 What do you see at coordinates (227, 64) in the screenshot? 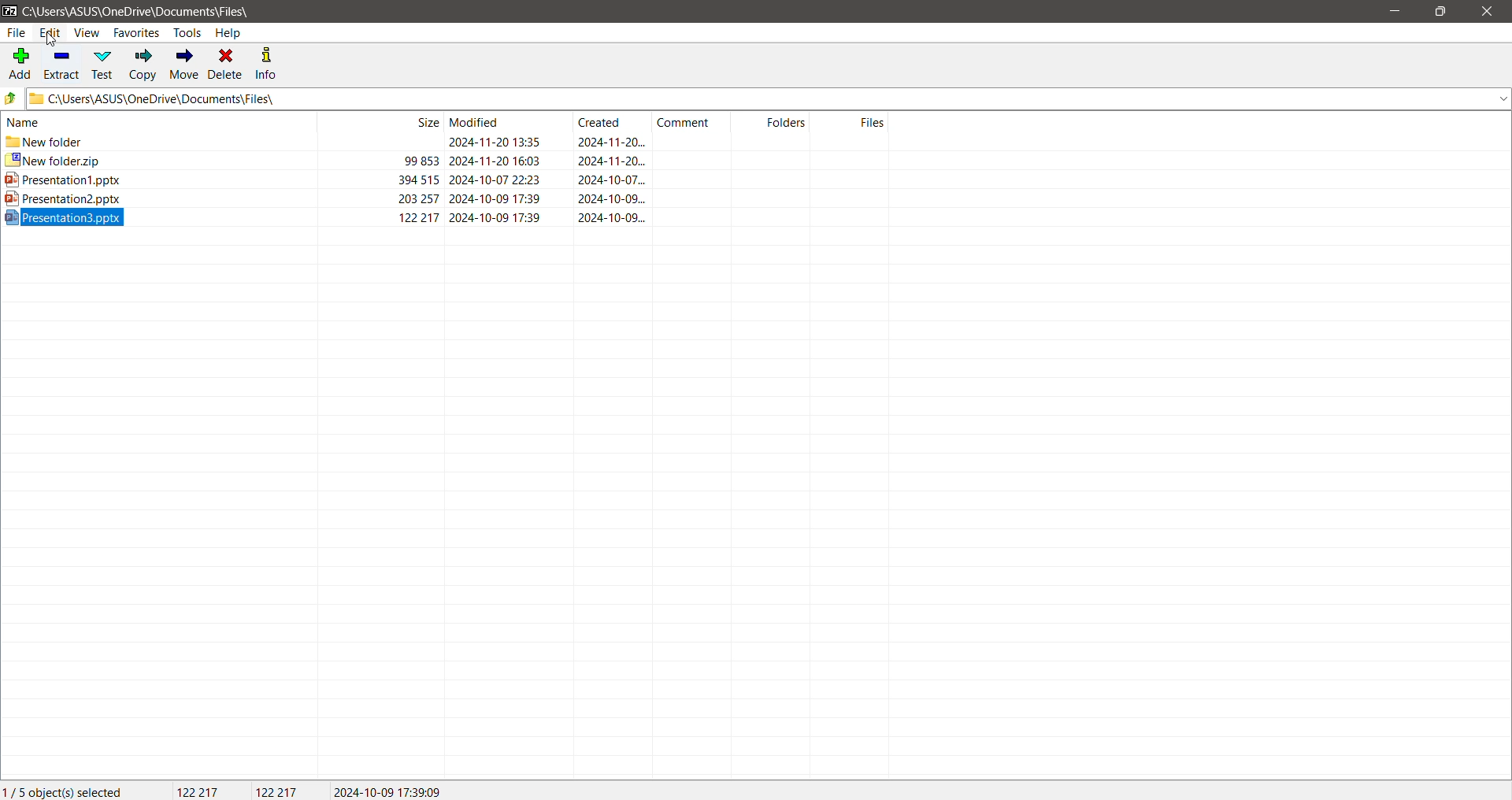
I see `Delete` at bounding box center [227, 64].